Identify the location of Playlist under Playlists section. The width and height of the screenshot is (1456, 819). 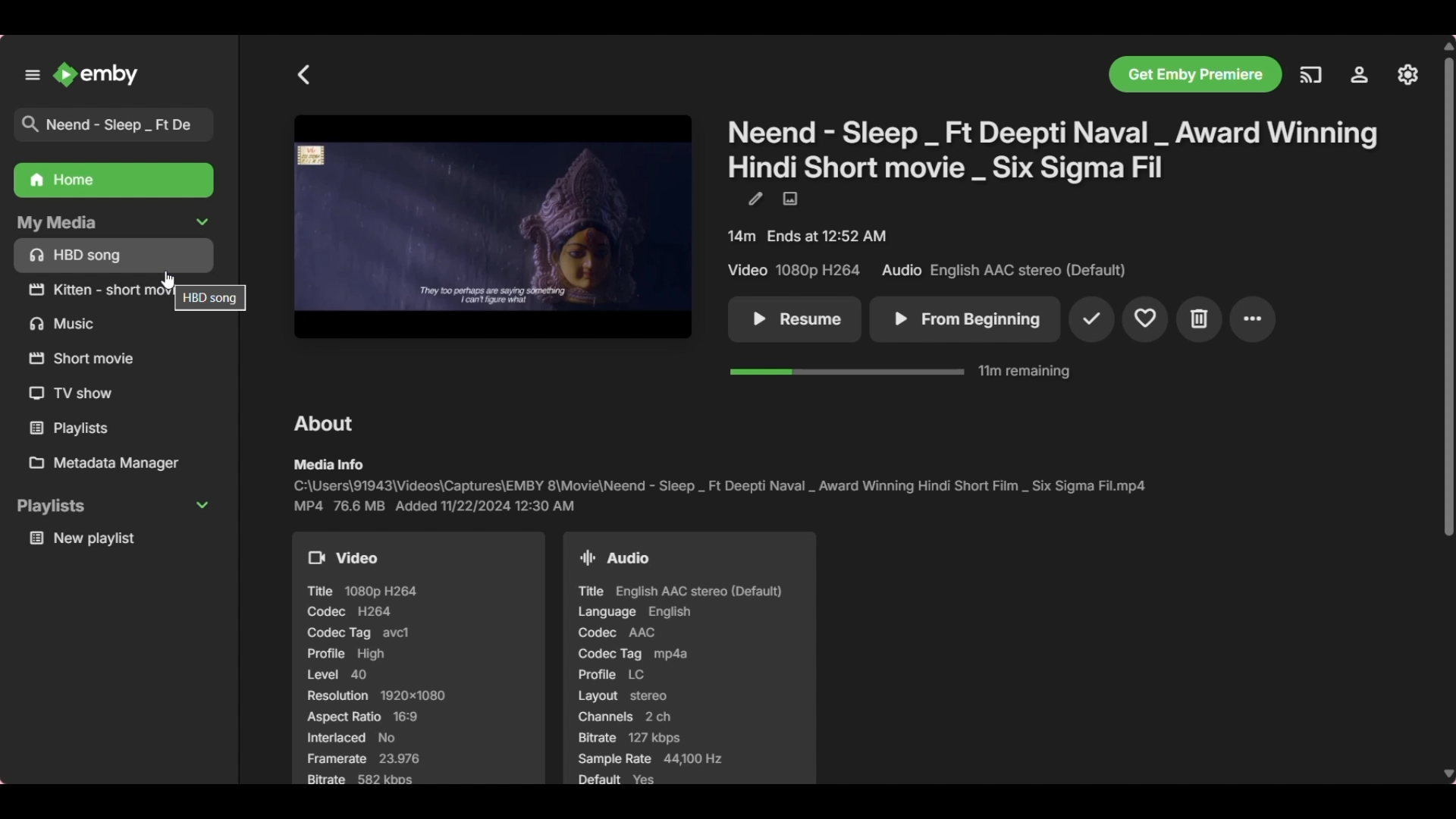
(115, 538).